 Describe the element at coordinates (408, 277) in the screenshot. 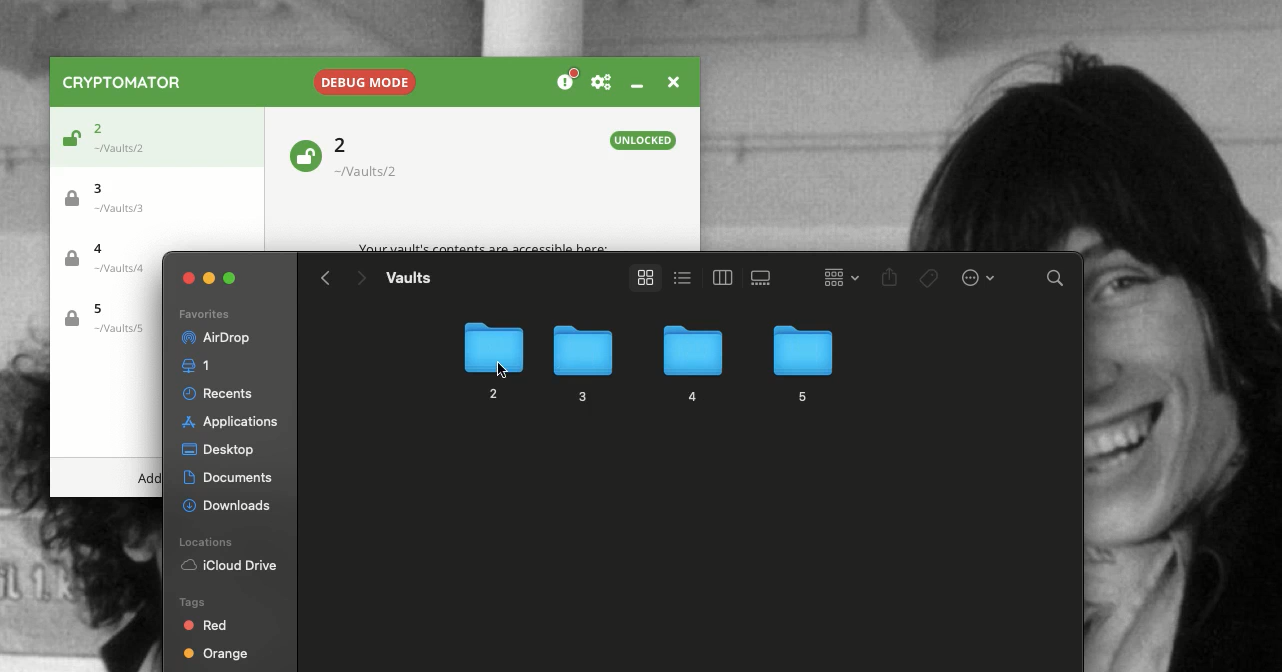

I see `Vaults` at that location.